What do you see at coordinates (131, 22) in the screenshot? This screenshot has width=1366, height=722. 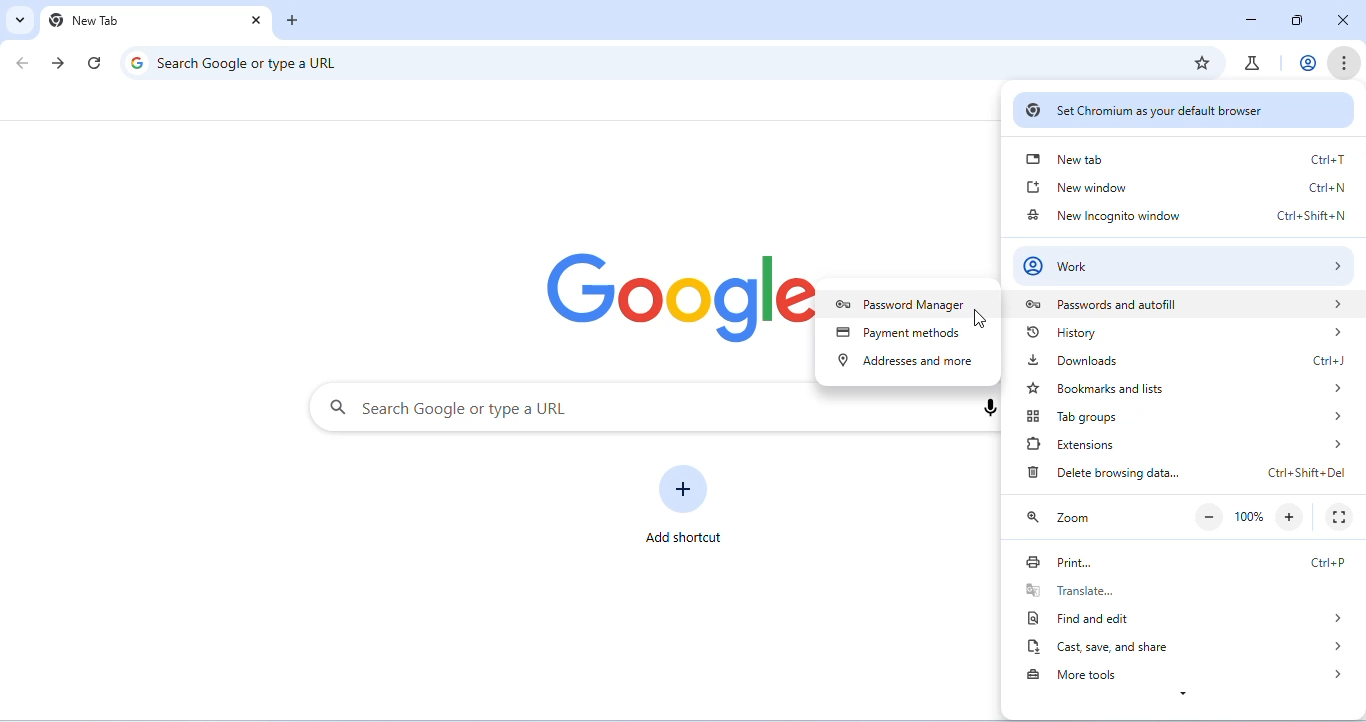 I see `New Tab` at bounding box center [131, 22].